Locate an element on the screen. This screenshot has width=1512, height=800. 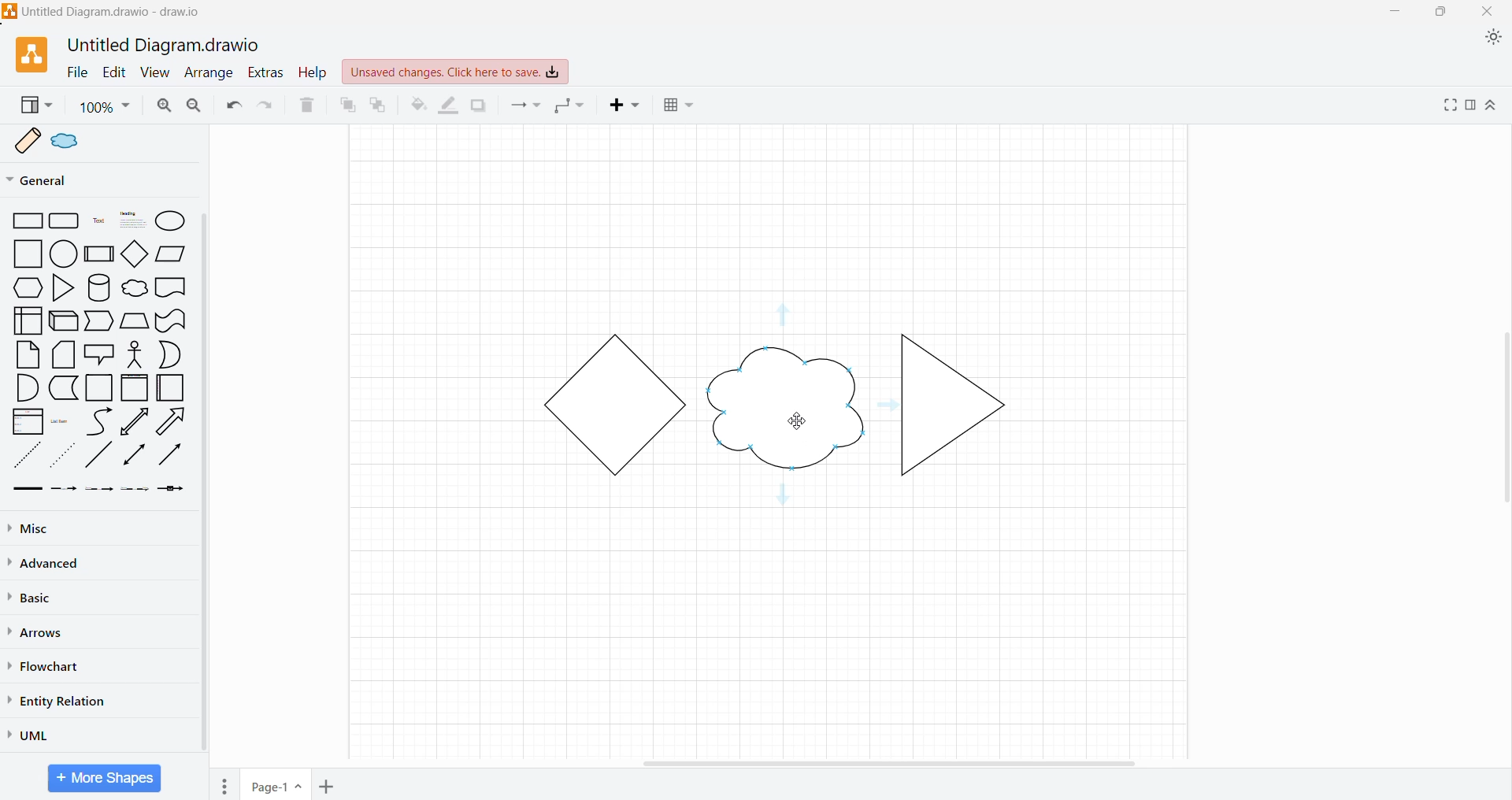
Arrange is located at coordinates (209, 73).